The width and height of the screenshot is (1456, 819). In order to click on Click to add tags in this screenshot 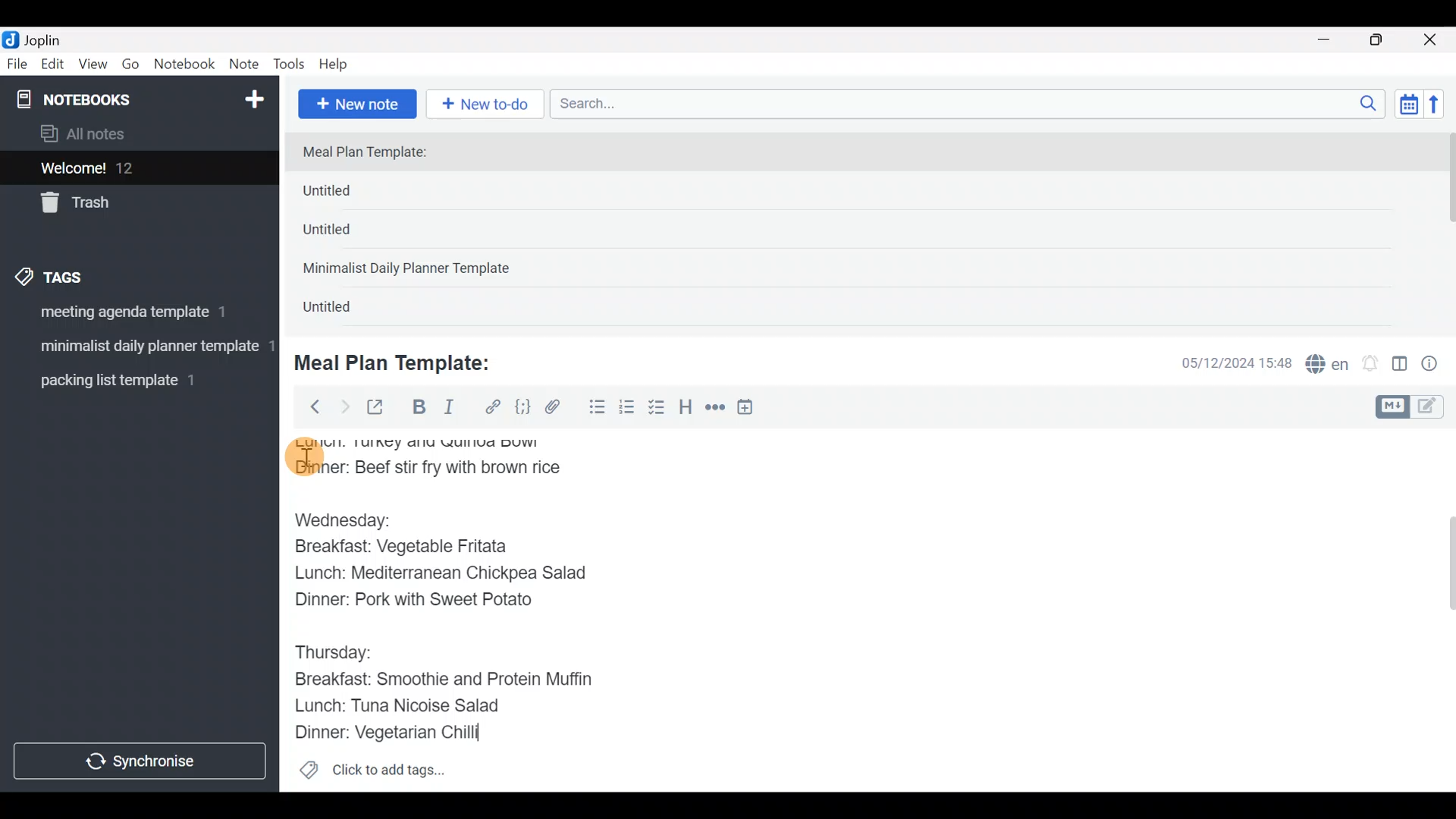, I will do `click(372, 775)`.